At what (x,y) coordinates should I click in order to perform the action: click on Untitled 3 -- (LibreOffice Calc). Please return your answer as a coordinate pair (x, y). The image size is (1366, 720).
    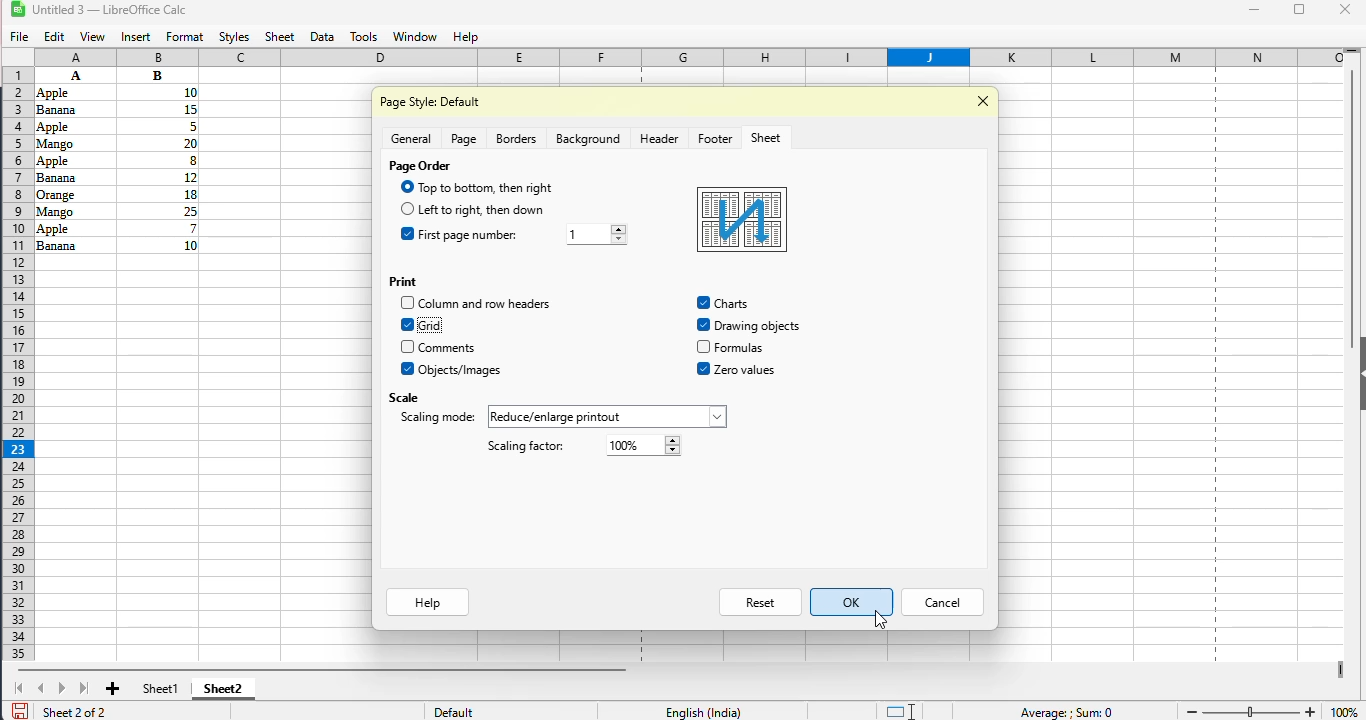
    Looking at the image, I should click on (114, 11).